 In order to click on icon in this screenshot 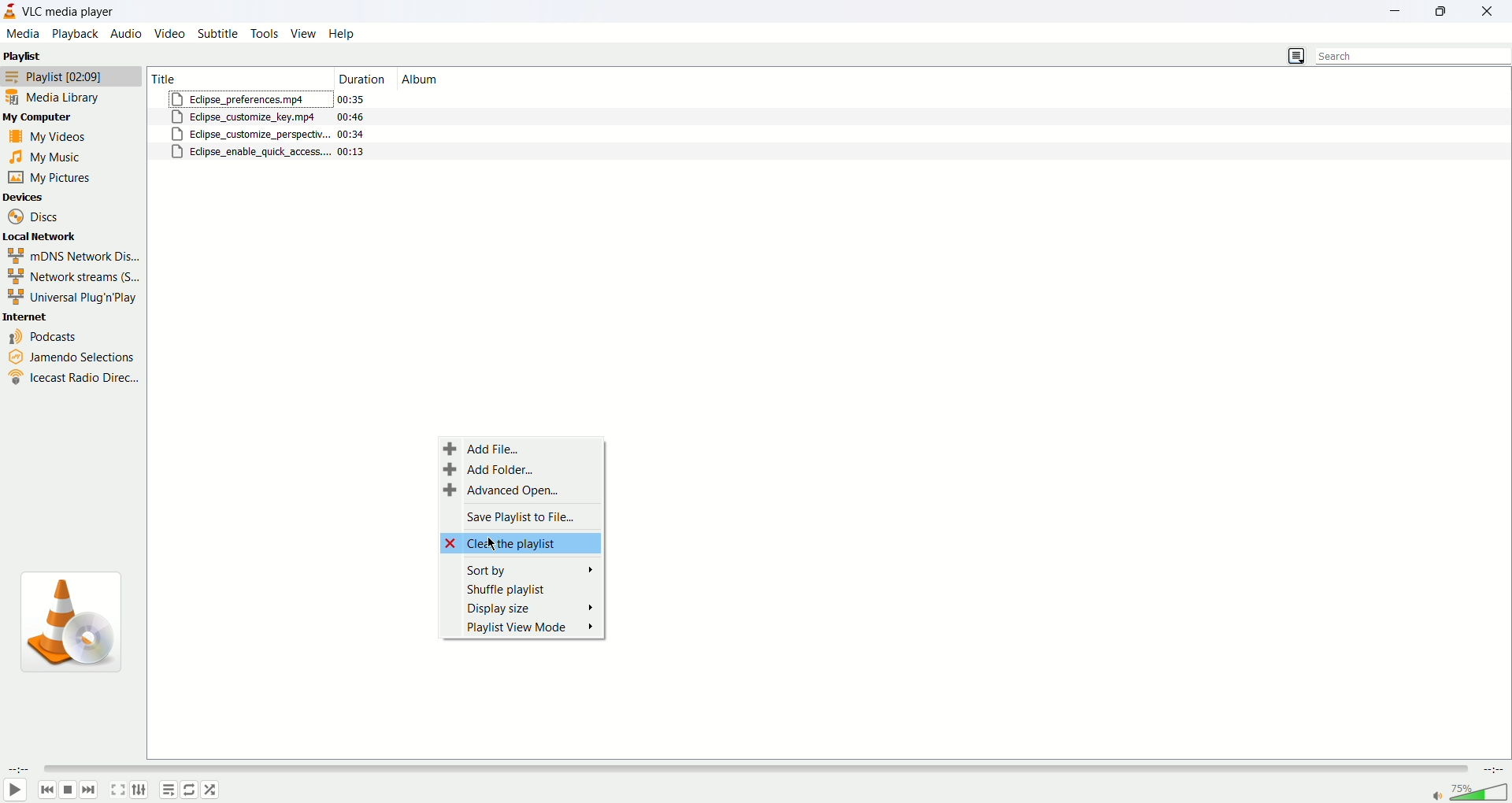, I will do `click(69, 624)`.